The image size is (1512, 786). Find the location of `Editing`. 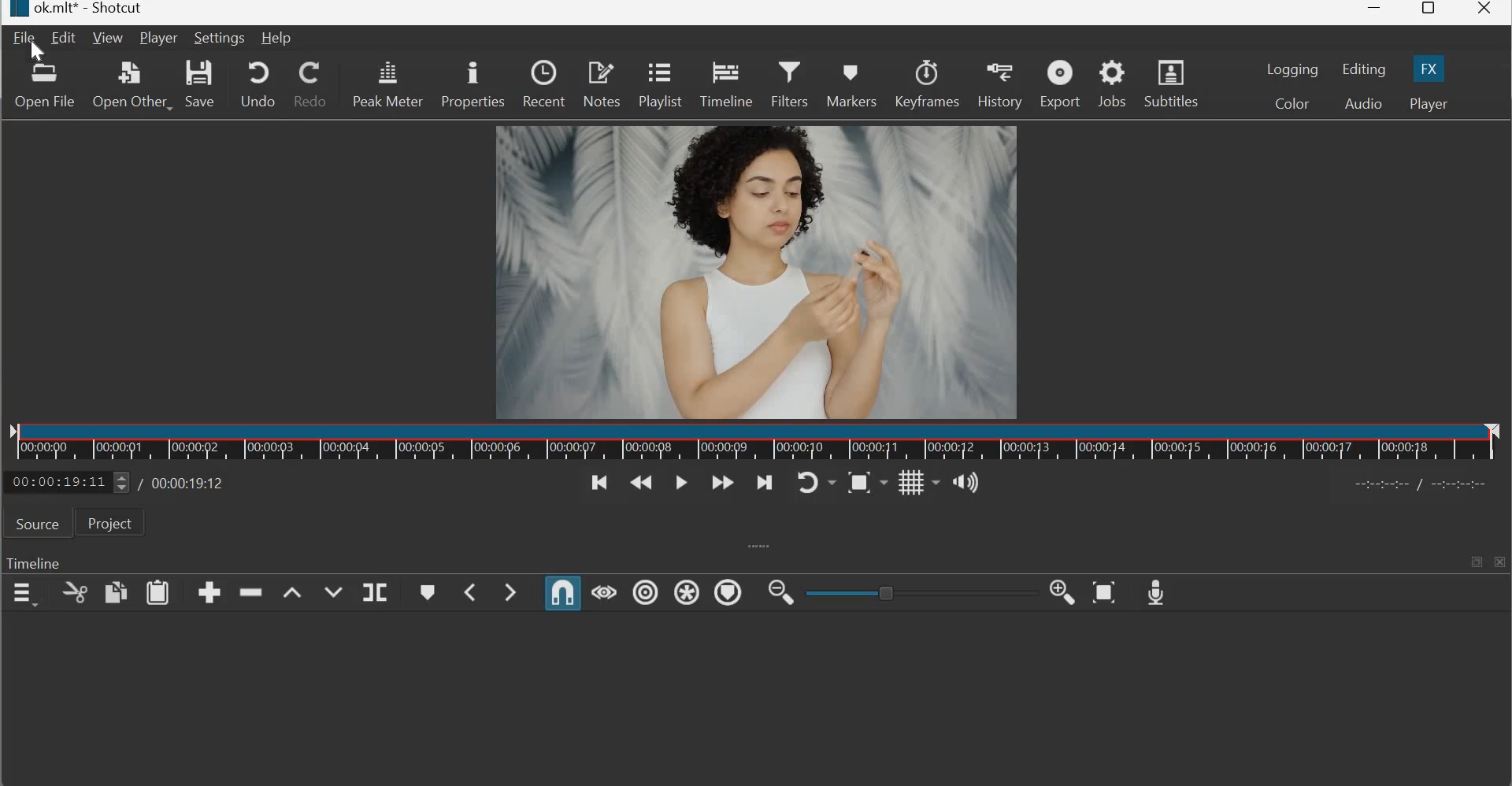

Editing is located at coordinates (1364, 69).